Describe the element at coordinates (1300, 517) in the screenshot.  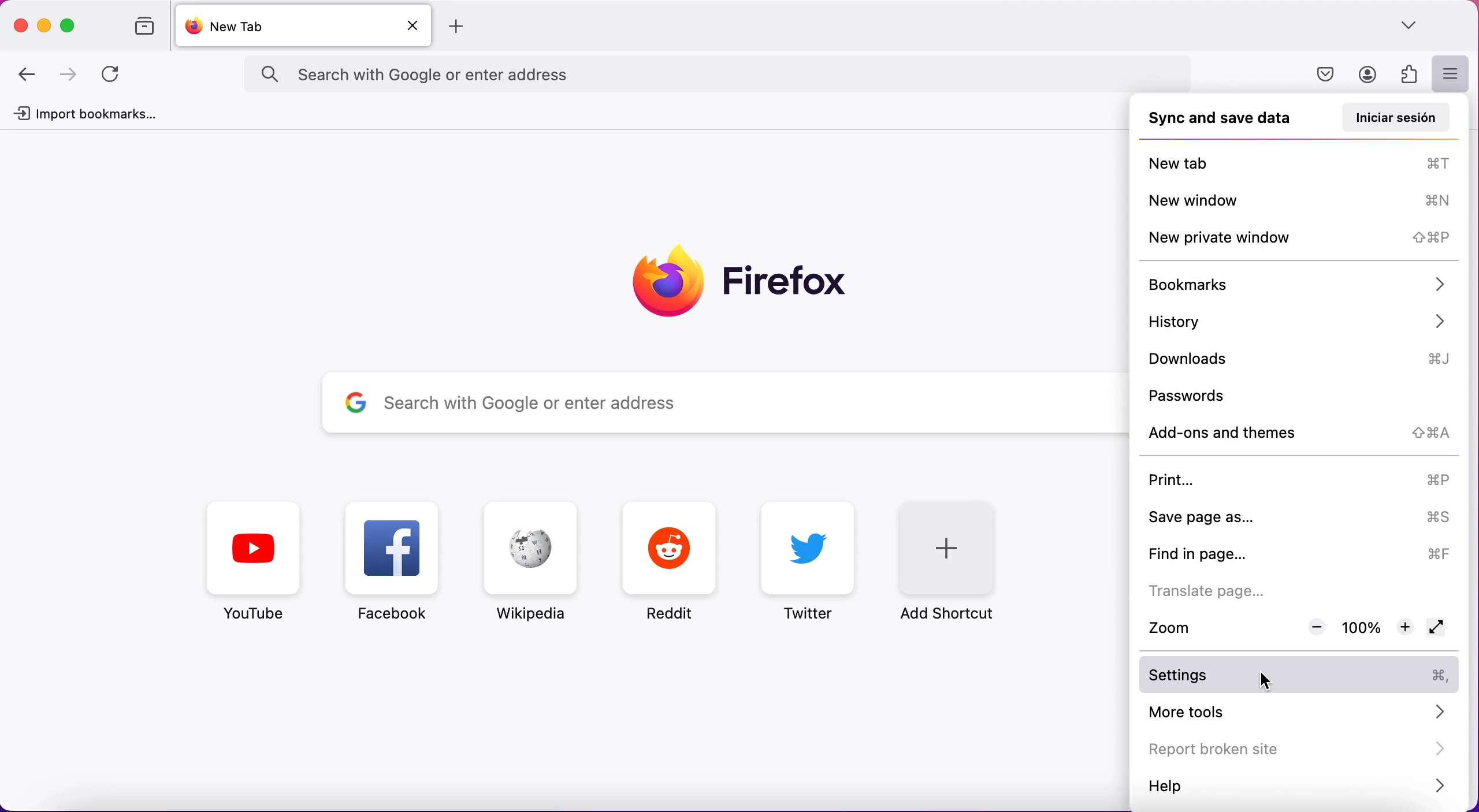
I see `save page as` at that location.